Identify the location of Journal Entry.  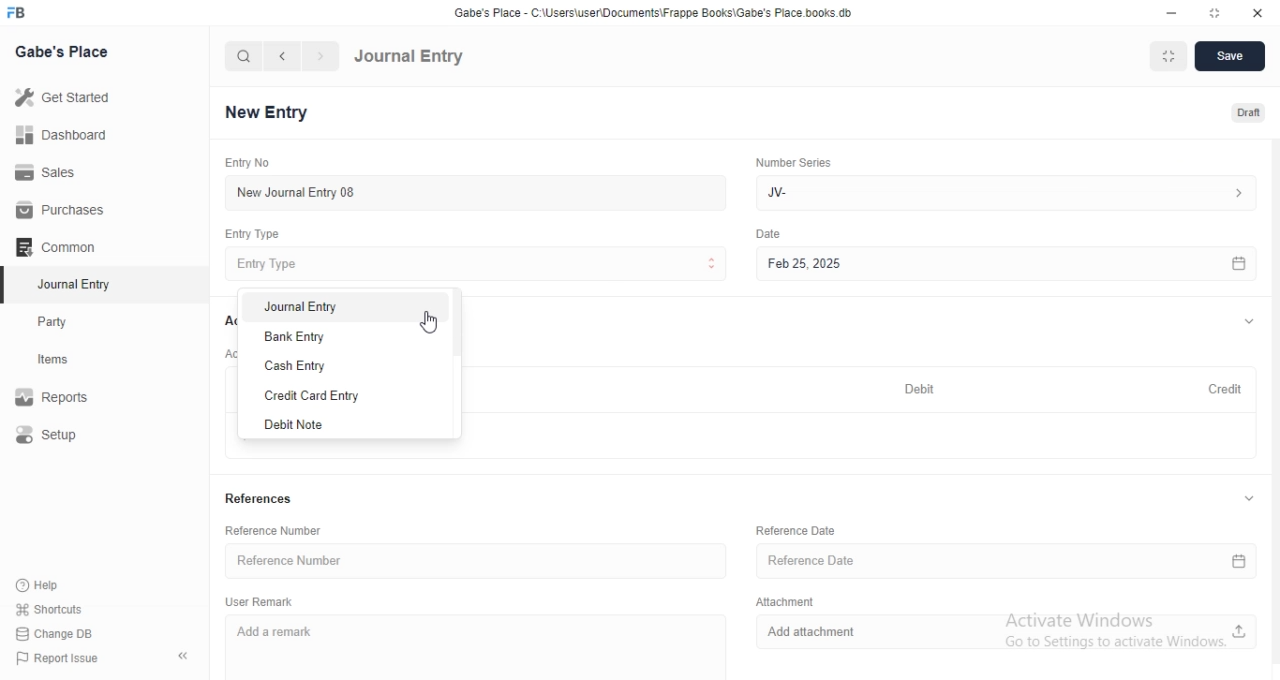
(344, 306).